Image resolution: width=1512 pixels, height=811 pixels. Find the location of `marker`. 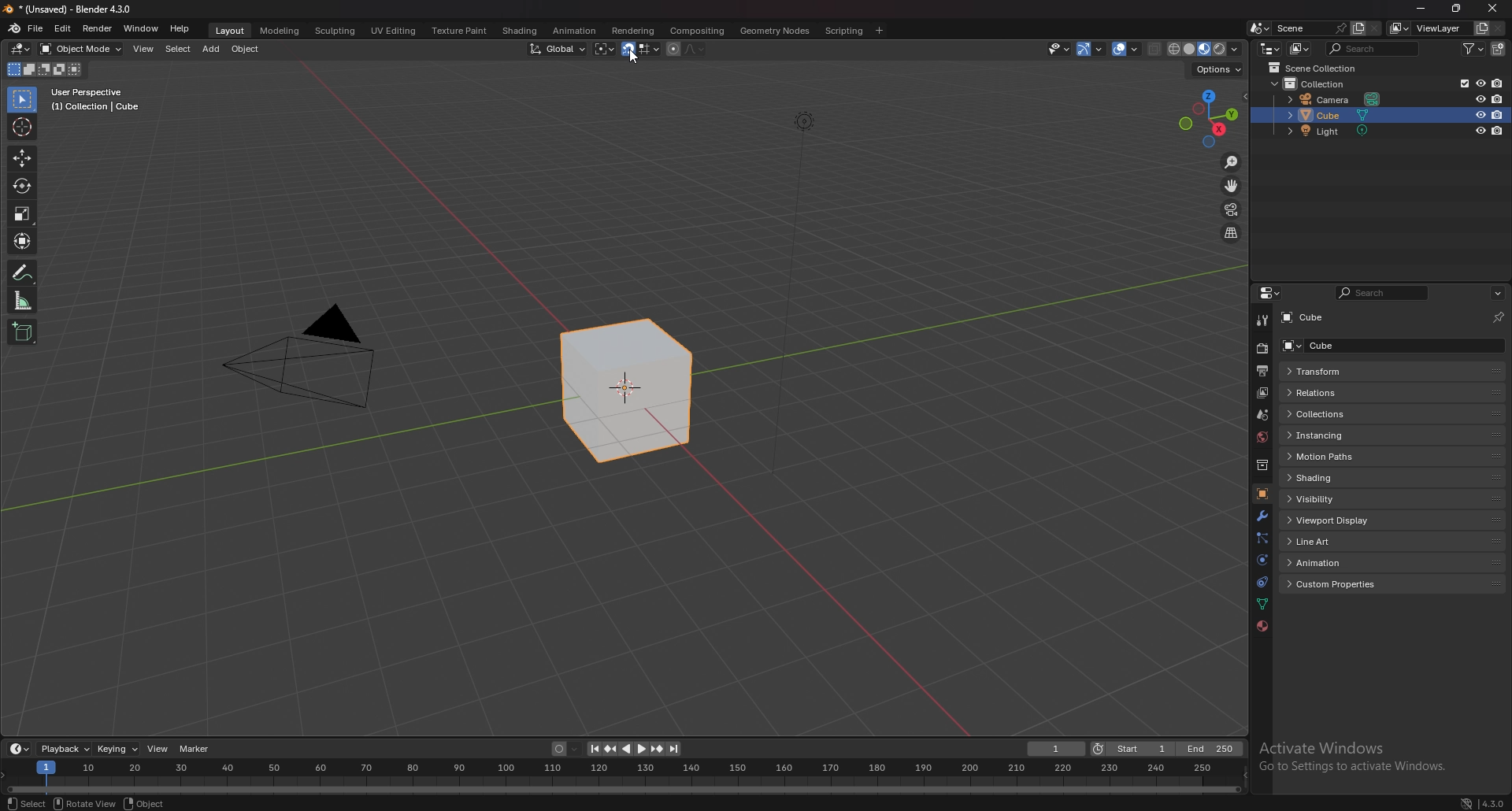

marker is located at coordinates (198, 750).